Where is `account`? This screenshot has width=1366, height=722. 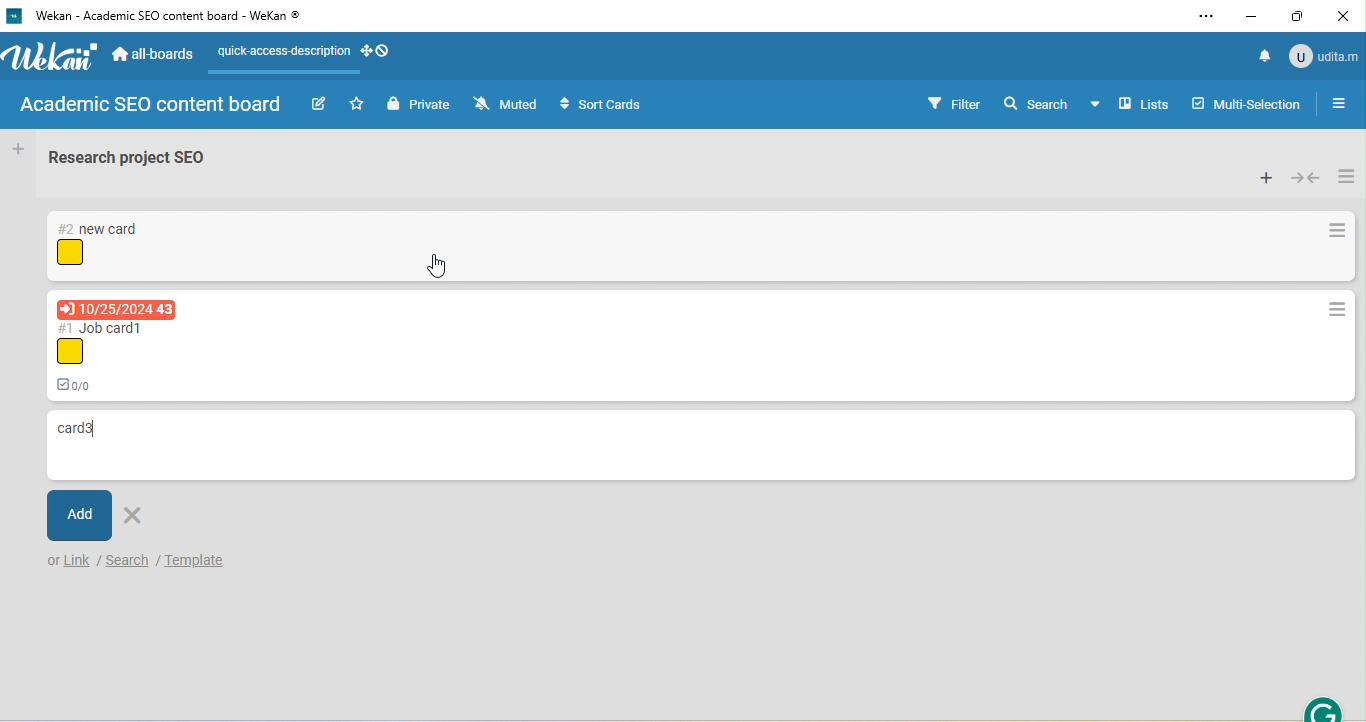 account is located at coordinates (1322, 55).